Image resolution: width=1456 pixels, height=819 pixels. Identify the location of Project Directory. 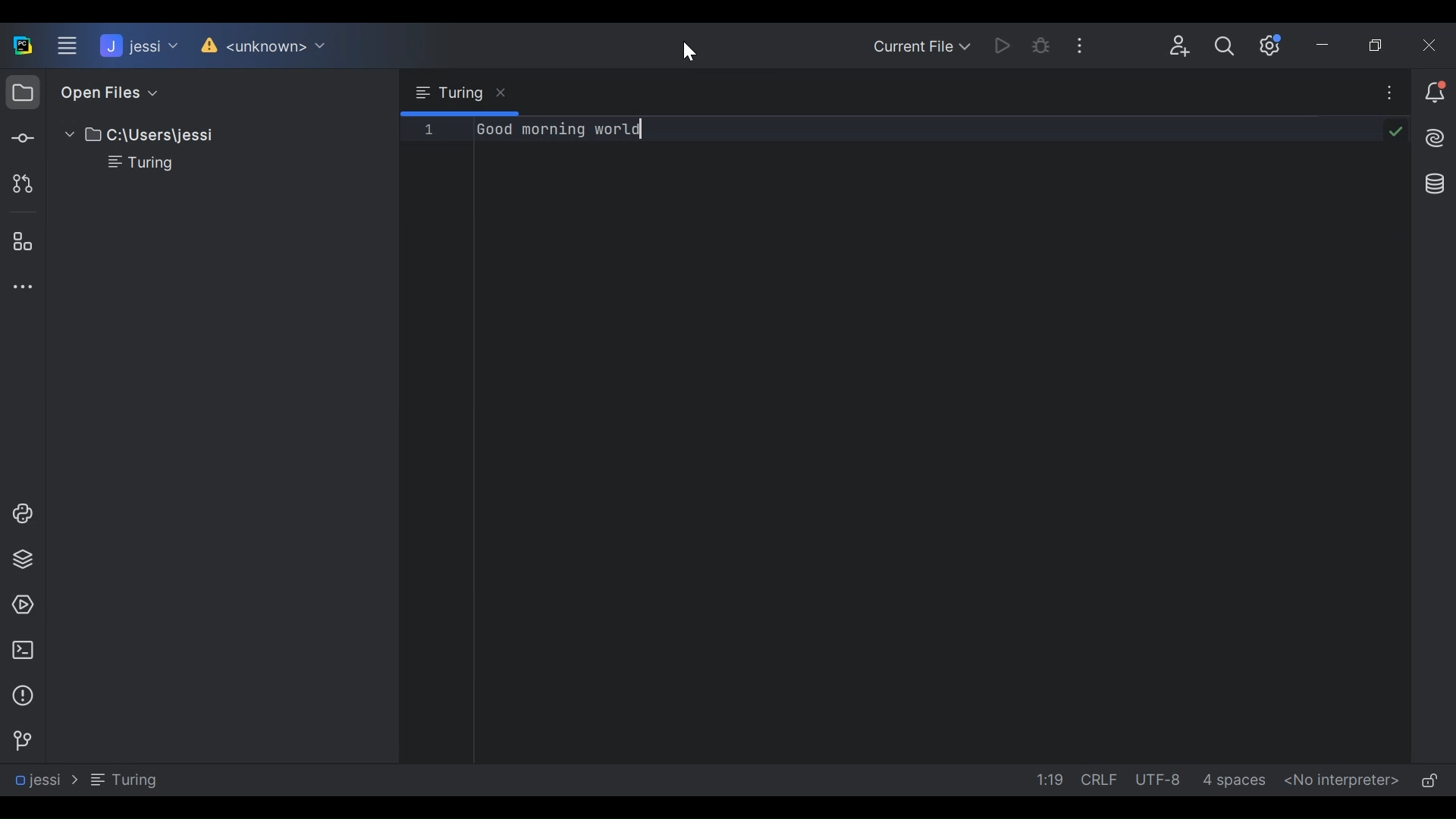
(132, 136).